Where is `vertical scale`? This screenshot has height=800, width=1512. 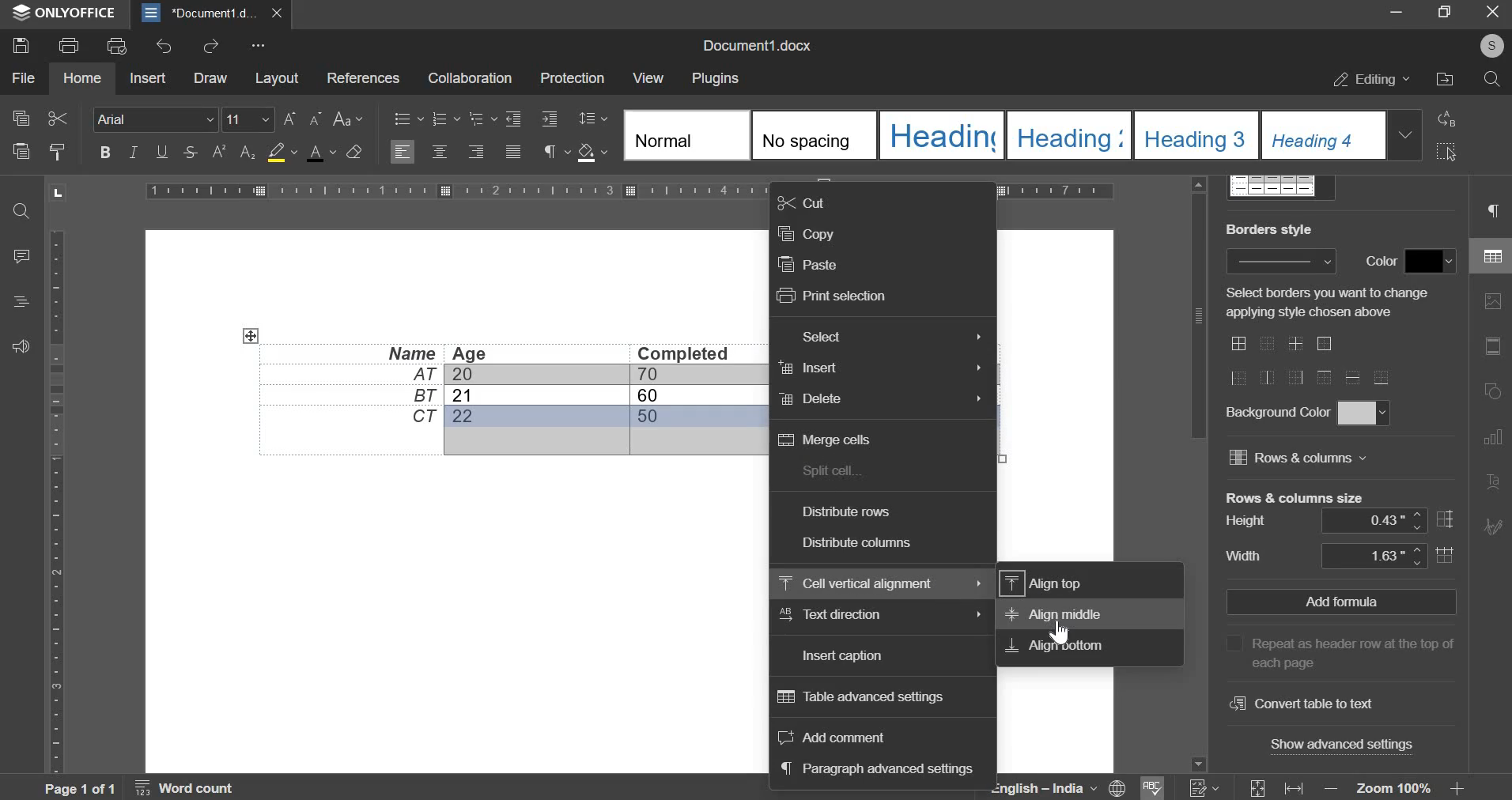 vertical scale is located at coordinates (455, 189).